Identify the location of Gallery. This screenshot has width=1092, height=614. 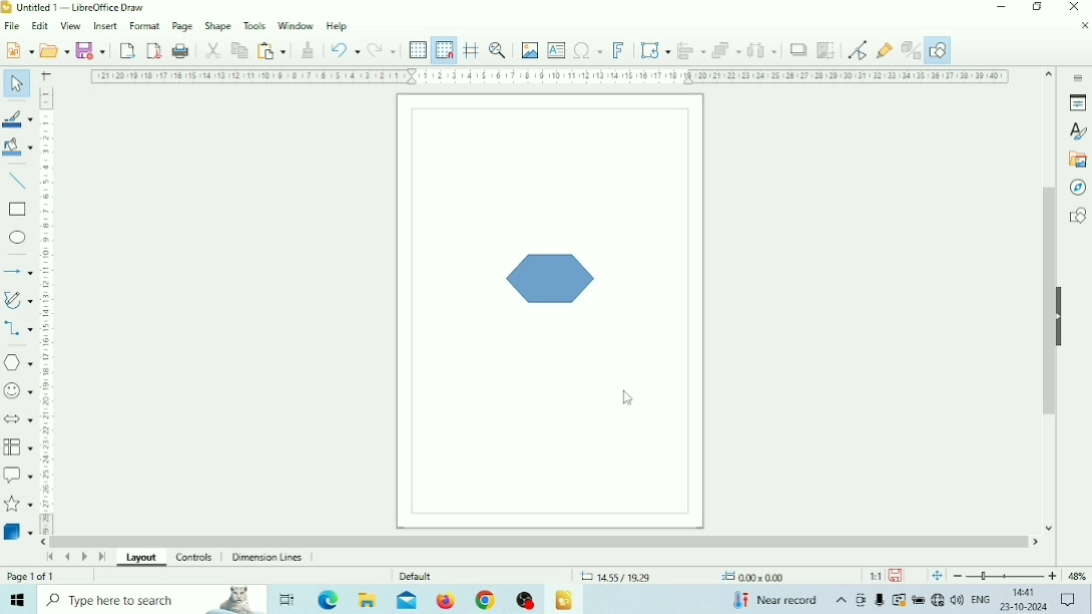
(1076, 160).